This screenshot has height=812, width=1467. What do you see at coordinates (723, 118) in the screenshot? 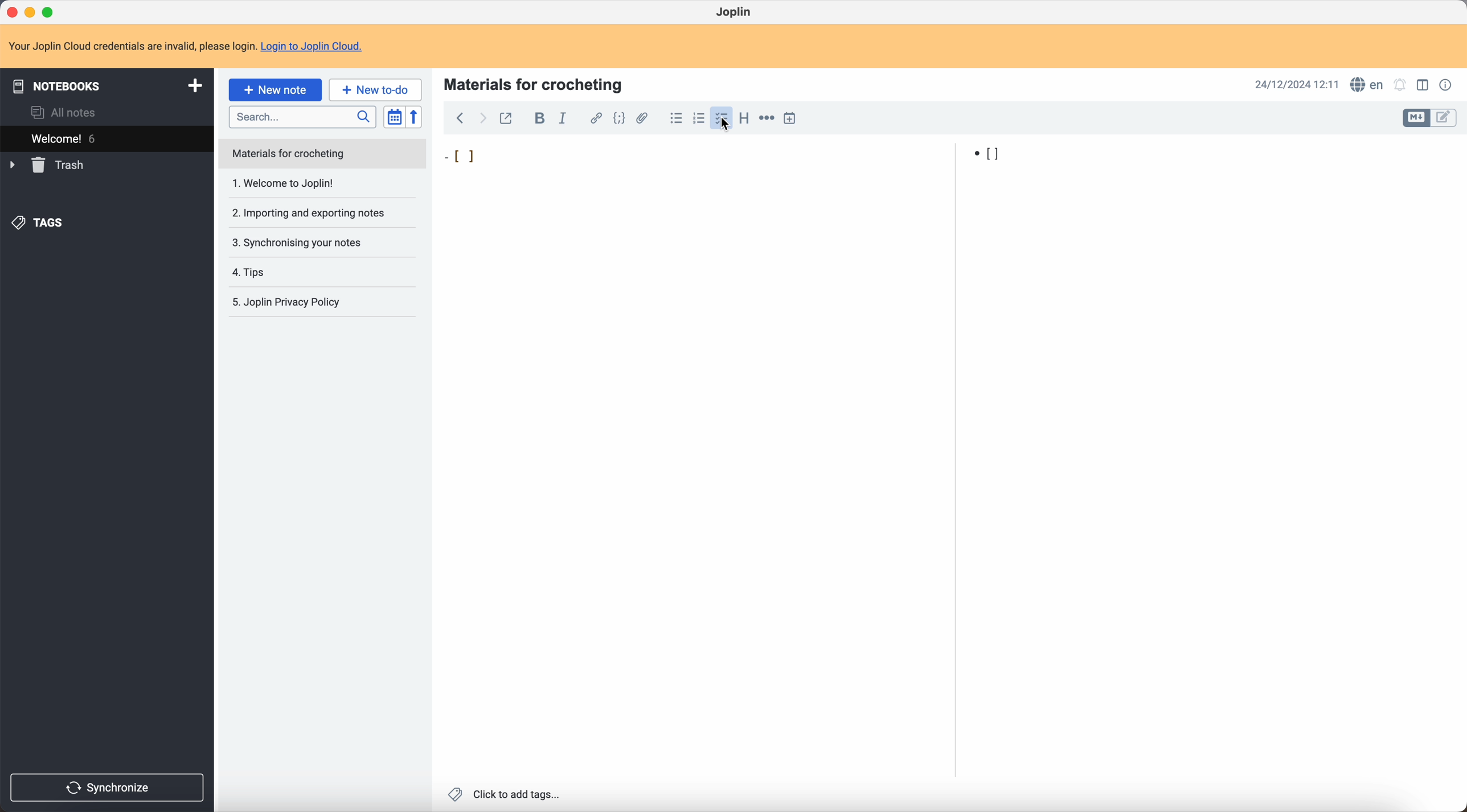
I see `click on checklist` at bounding box center [723, 118].